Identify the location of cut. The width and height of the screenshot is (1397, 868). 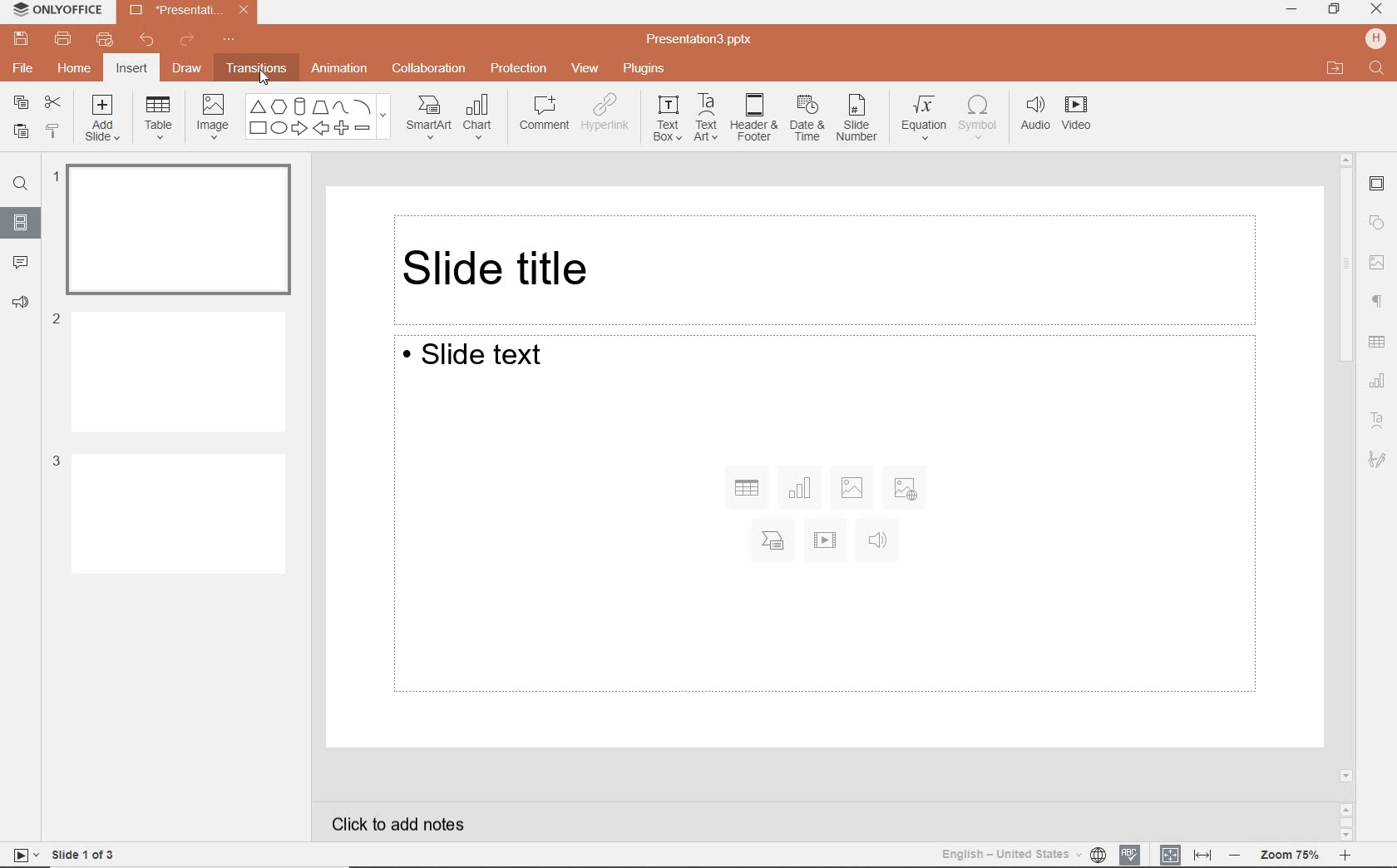
(52, 104).